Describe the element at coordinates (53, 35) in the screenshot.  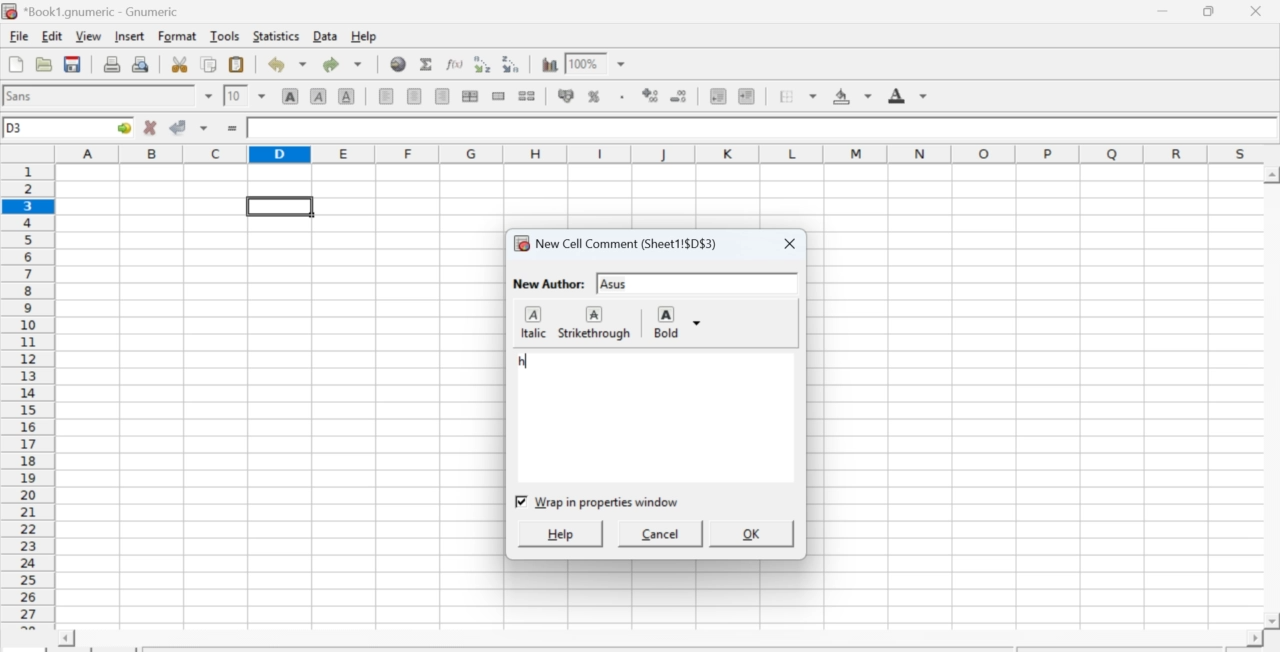
I see `Edit` at that location.